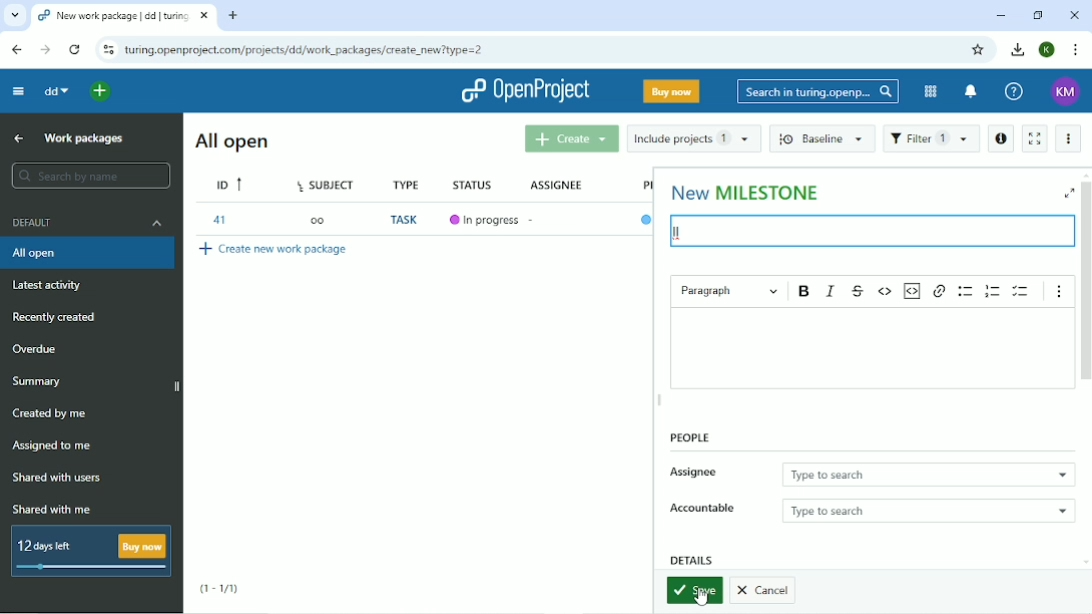 The width and height of the screenshot is (1092, 614). I want to click on Site, so click(308, 50).